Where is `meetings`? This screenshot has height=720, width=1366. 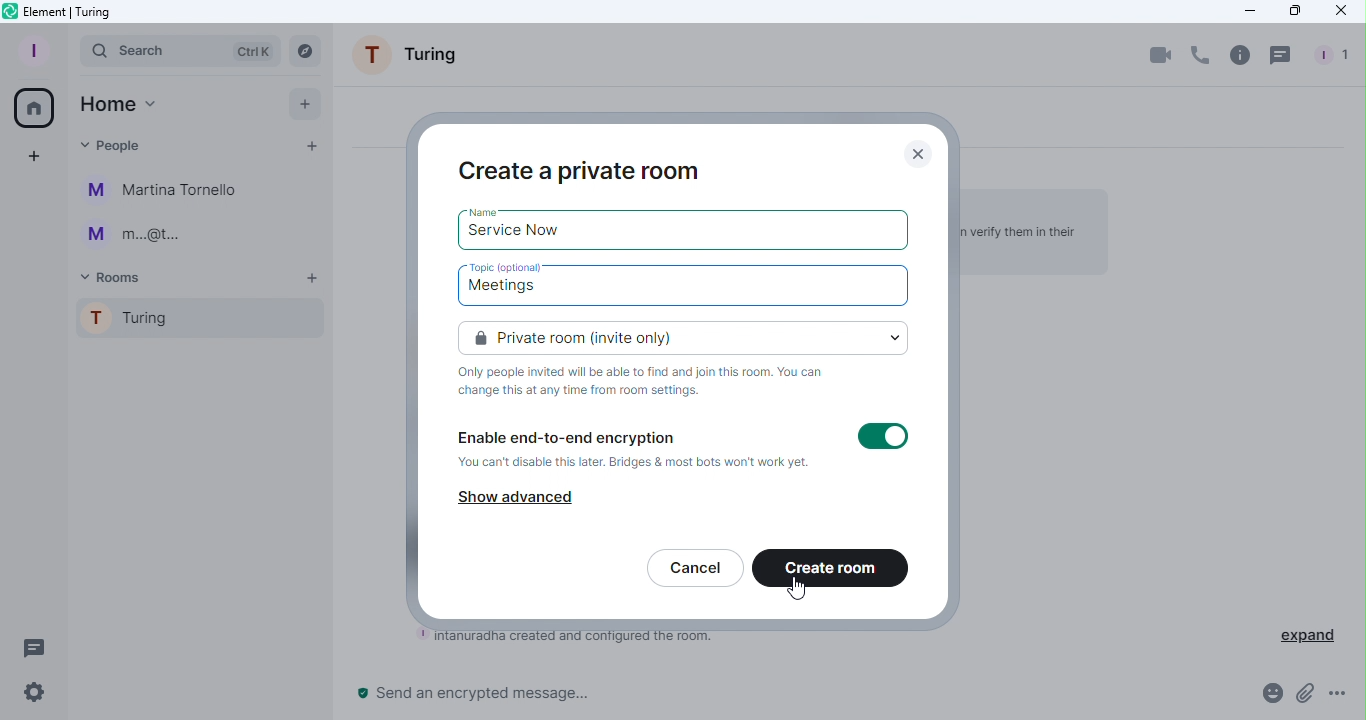 meetings is located at coordinates (511, 291).